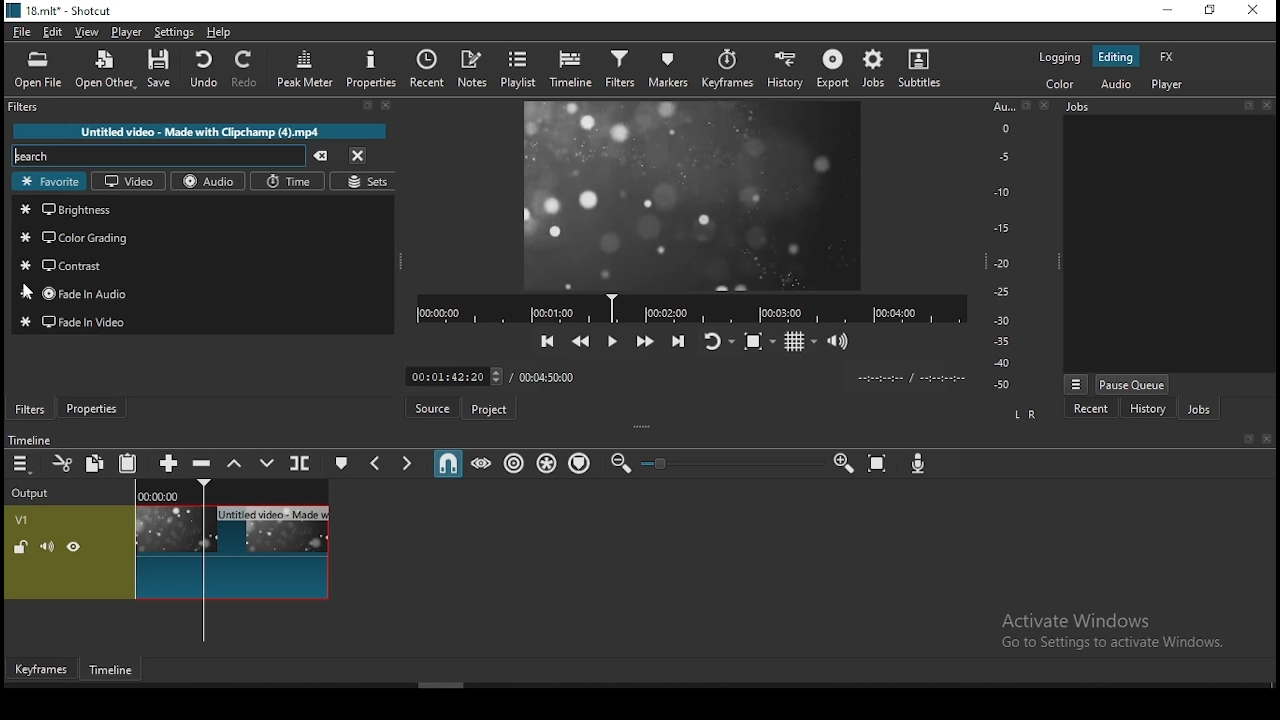 This screenshot has width=1280, height=720. What do you see at coordinates (235, 462) in the screenshot?
I see `lift` at bounding box center [235, 462].